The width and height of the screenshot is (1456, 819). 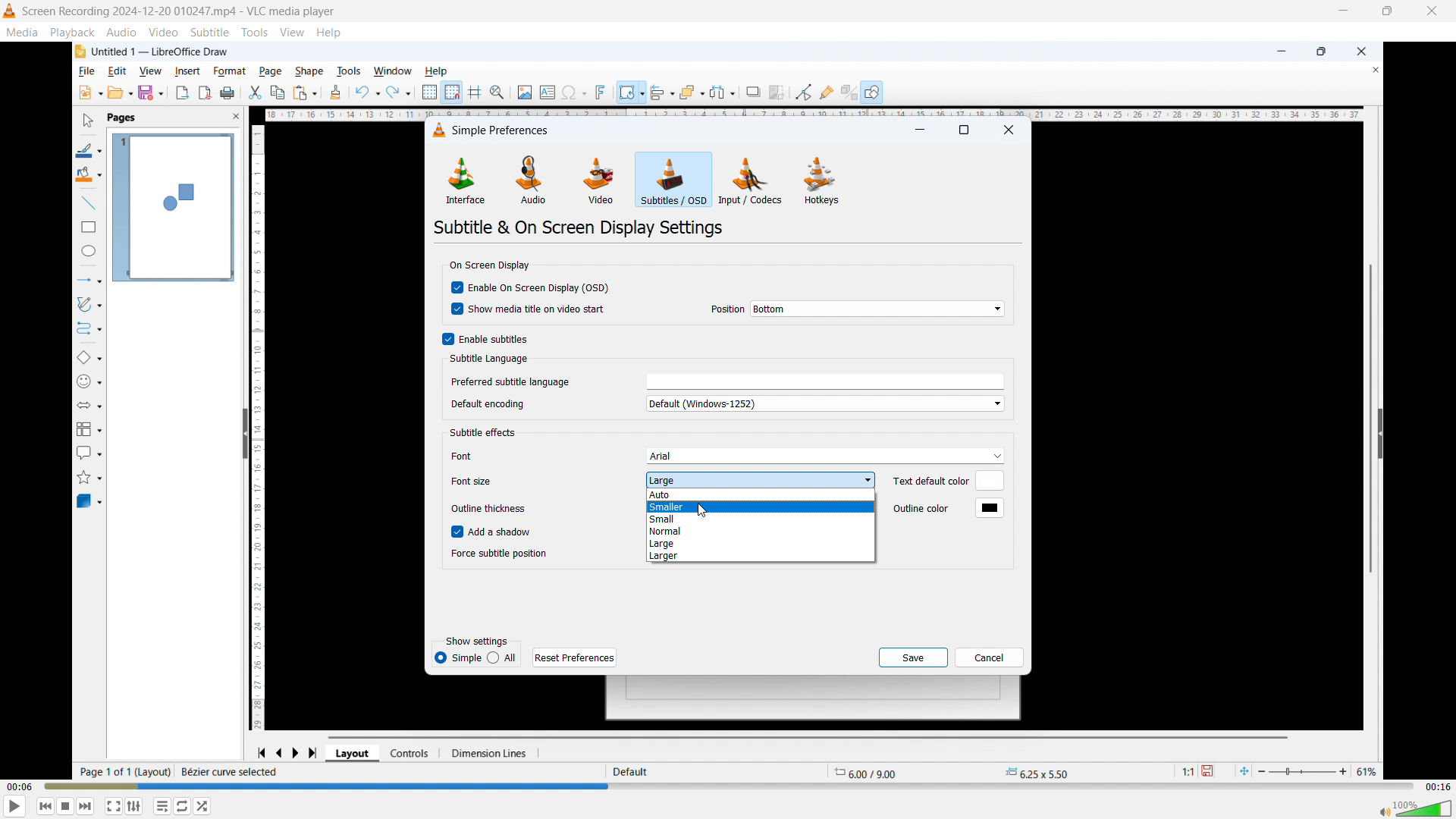 I want to click on Audio , so click(x=532, y=180).